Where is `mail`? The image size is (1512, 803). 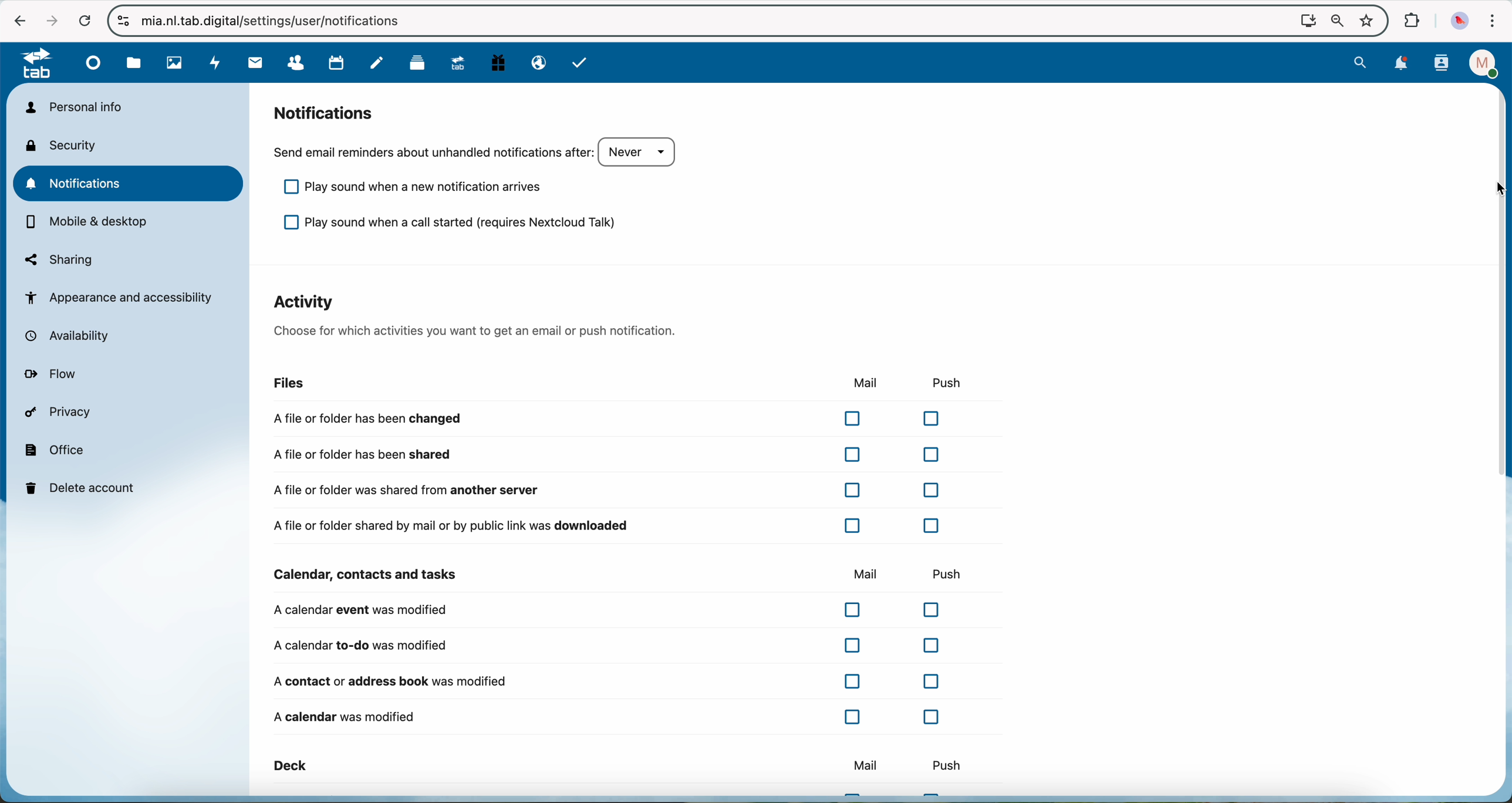 mail is located at coordinates (253, 63).